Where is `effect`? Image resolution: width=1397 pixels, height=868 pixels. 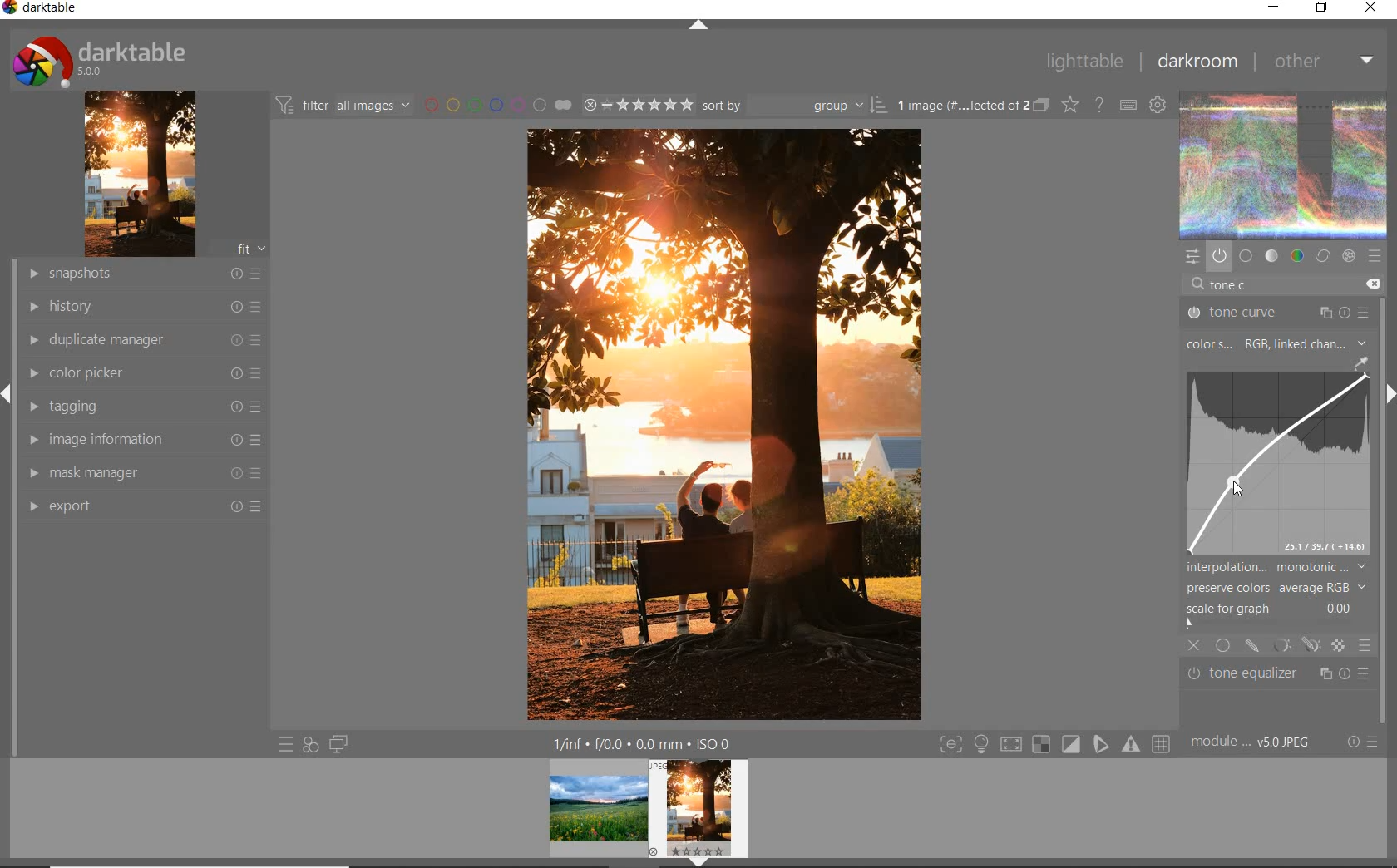 effect is located at coordinates (1348, 256).